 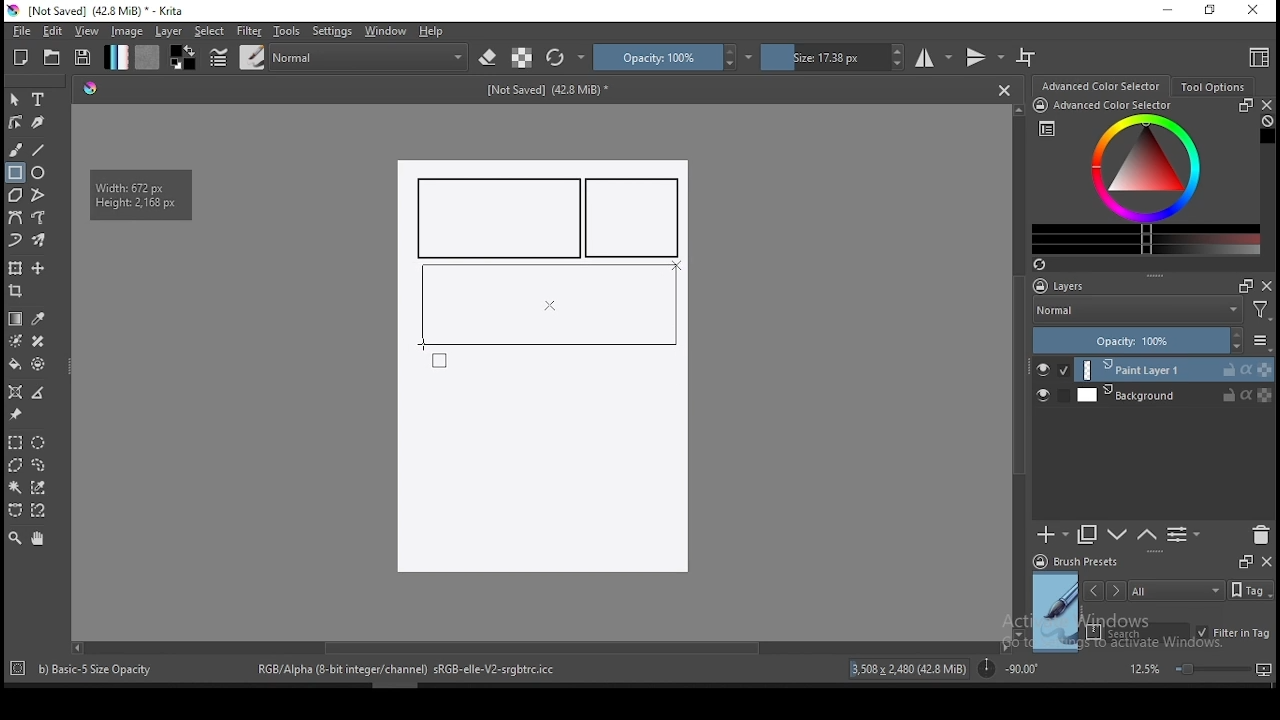 What do you see at coordinates (1008, 667) in the screenshot?
I see `rotation` at bounding box center [1008, 667].